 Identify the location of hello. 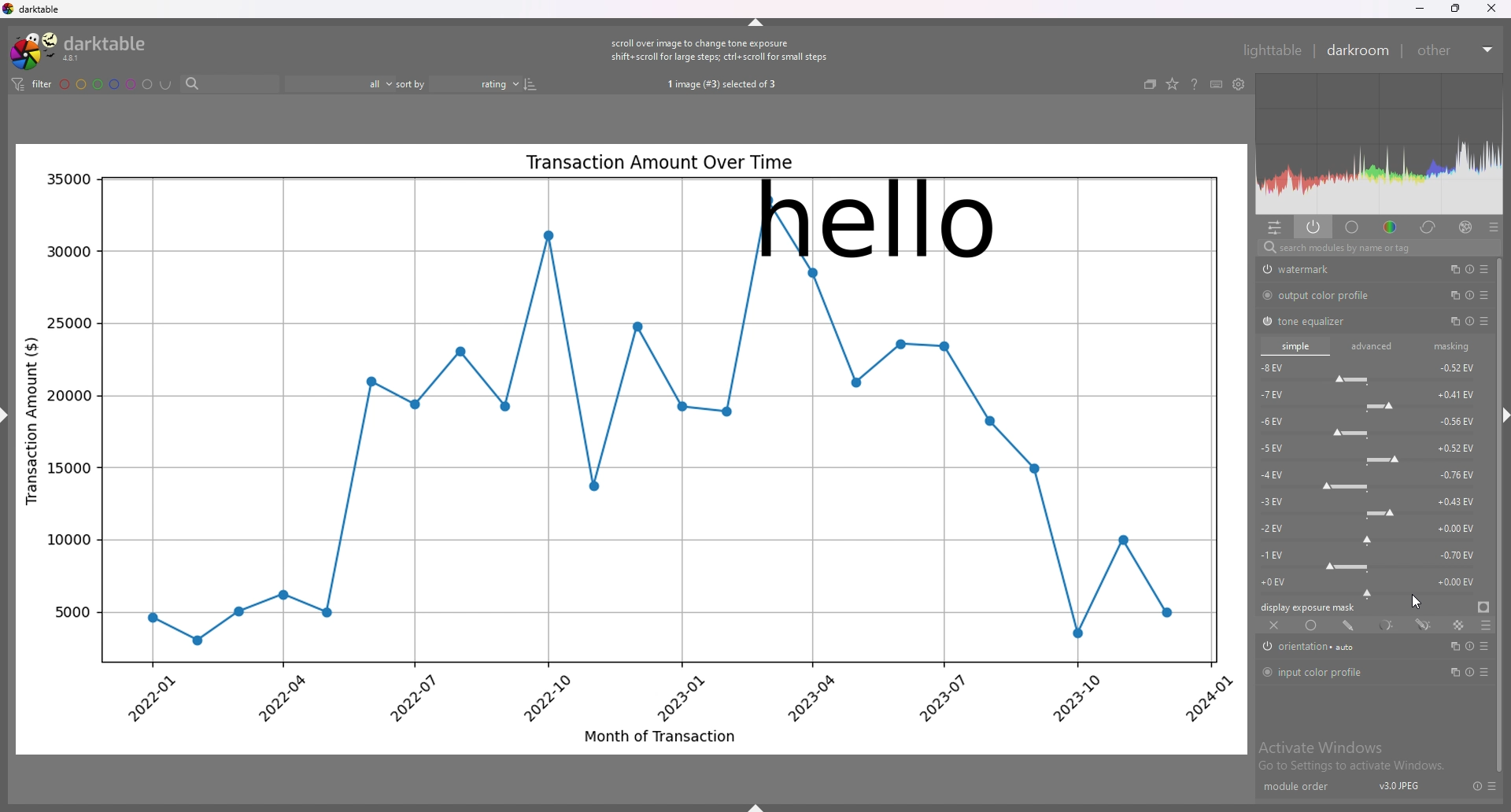
(877, 220).